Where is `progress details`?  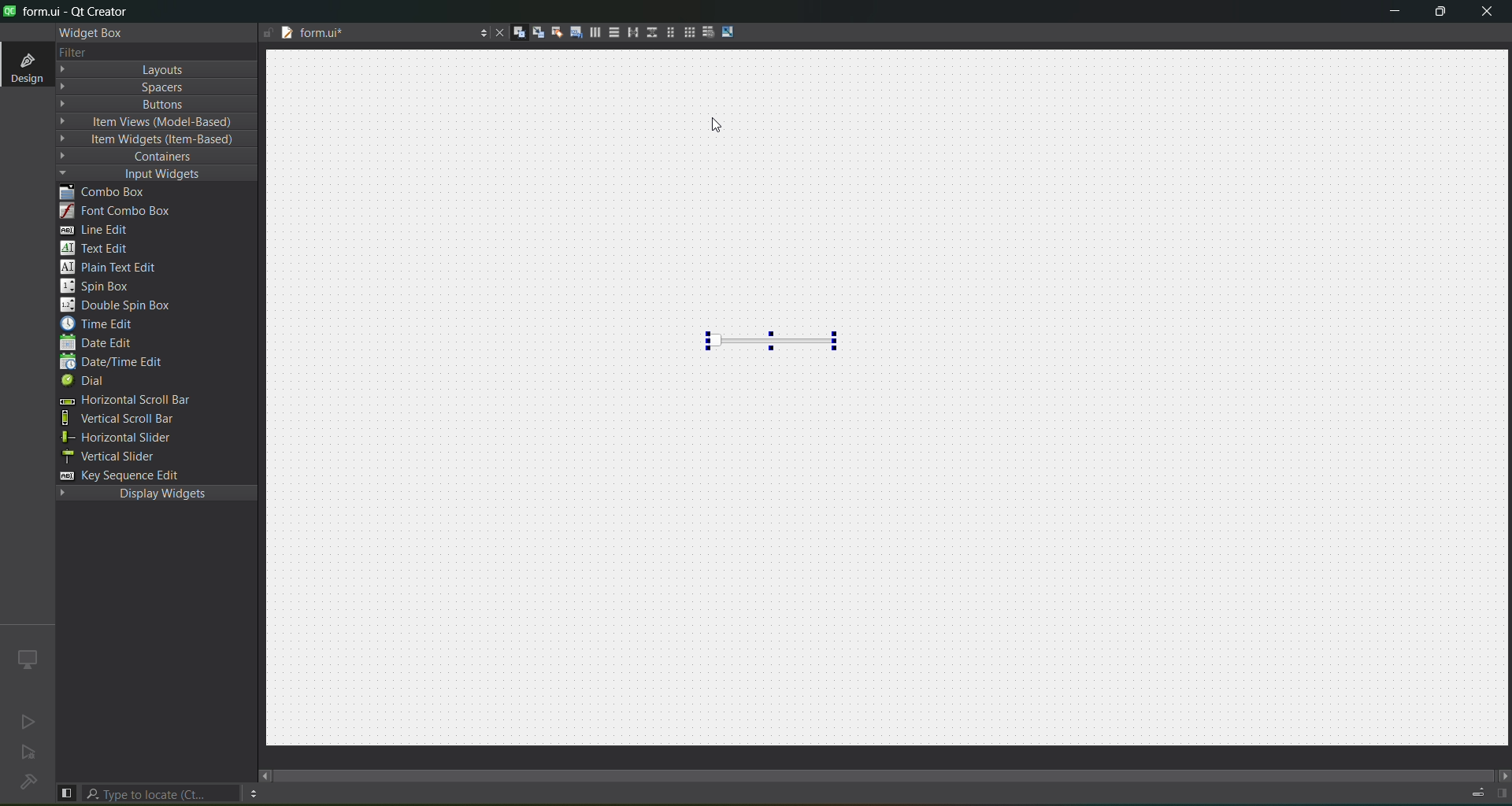
progress details is located at coordinates (1477, 792).